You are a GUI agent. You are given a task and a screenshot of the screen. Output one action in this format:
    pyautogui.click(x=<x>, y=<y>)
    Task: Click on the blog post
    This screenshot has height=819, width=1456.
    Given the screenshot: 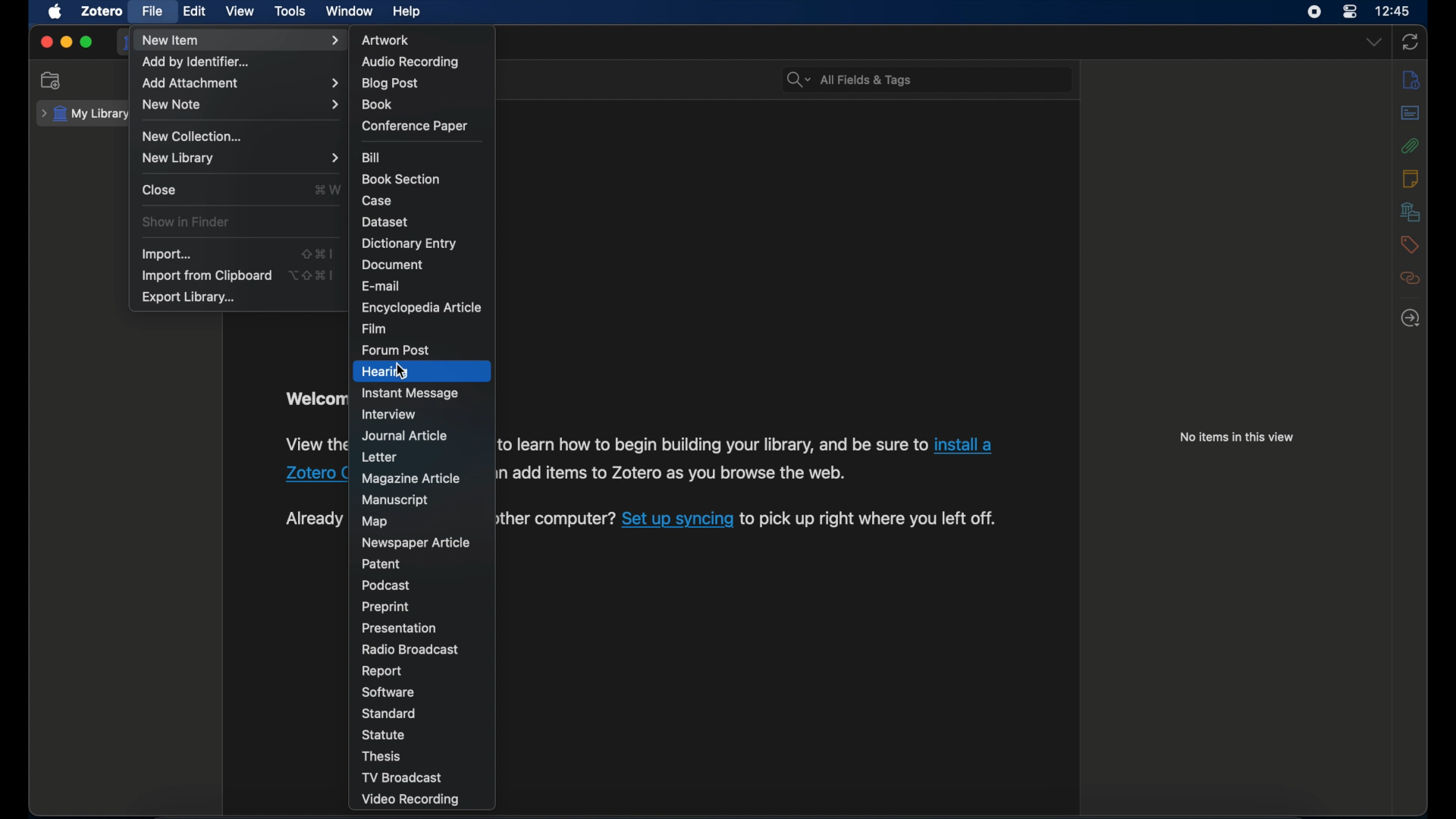 What is the action you would take?
    pyautogui.click(x=390, y=84)
    